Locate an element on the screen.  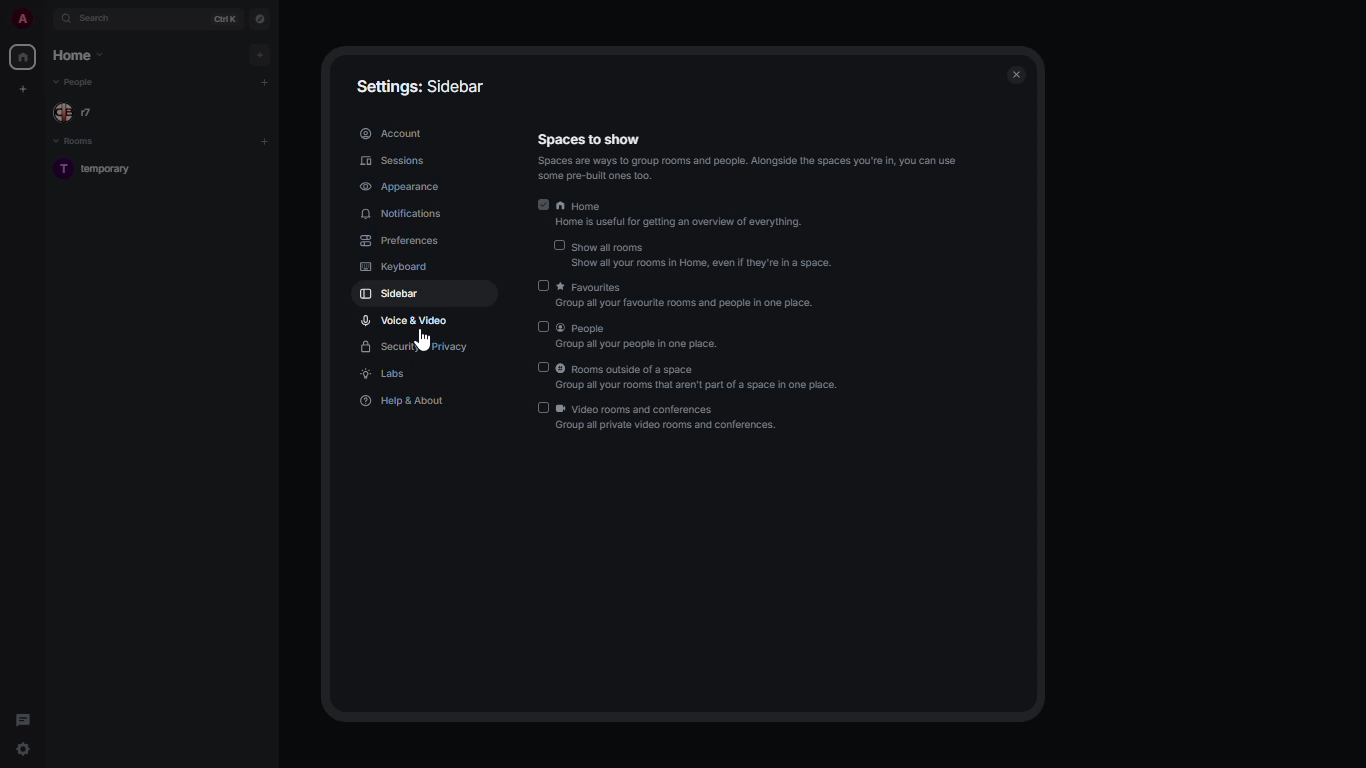
keyboard is located at coordinates (397, 268).